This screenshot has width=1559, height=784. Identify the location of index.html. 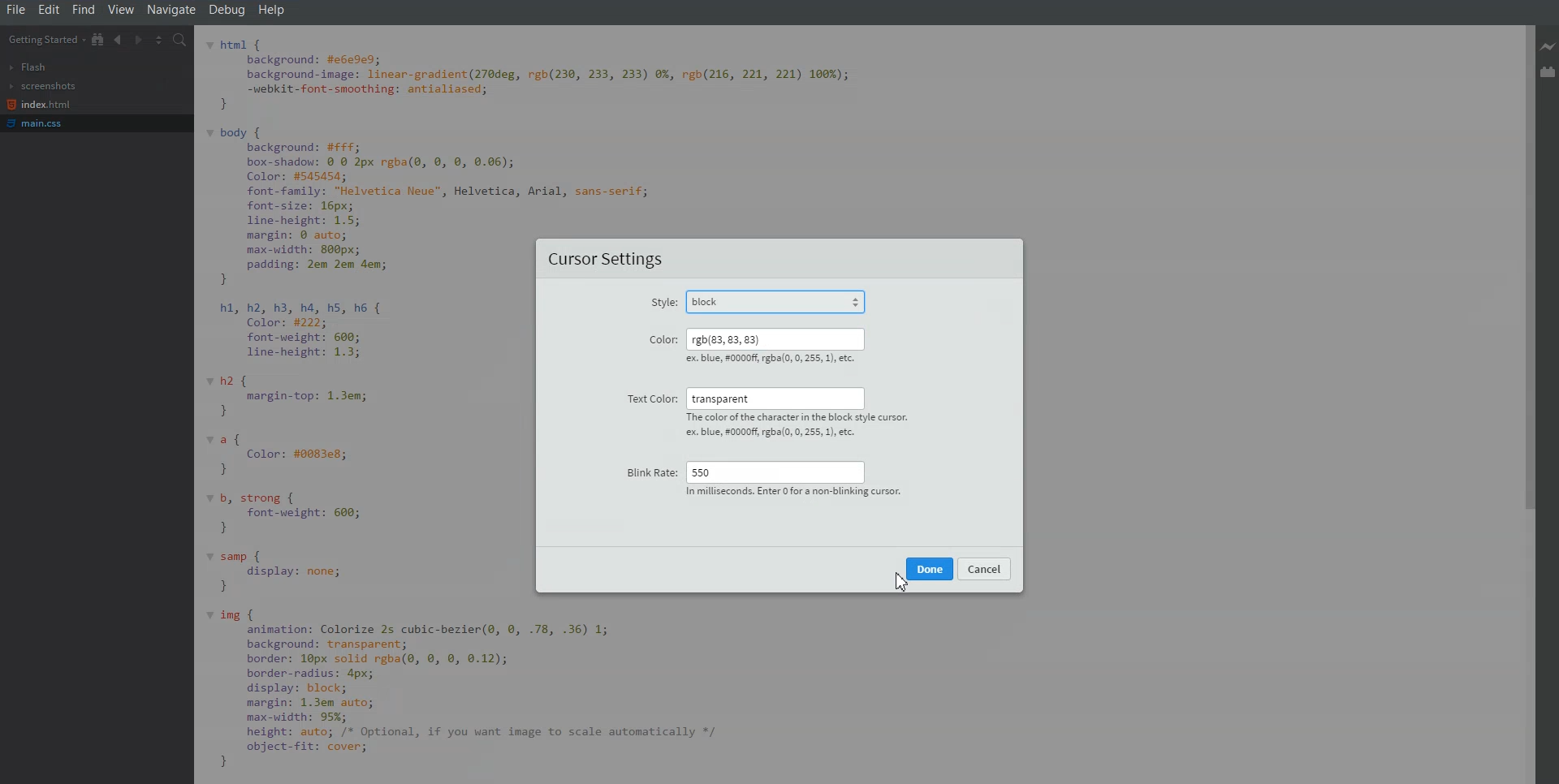
(39, 105).